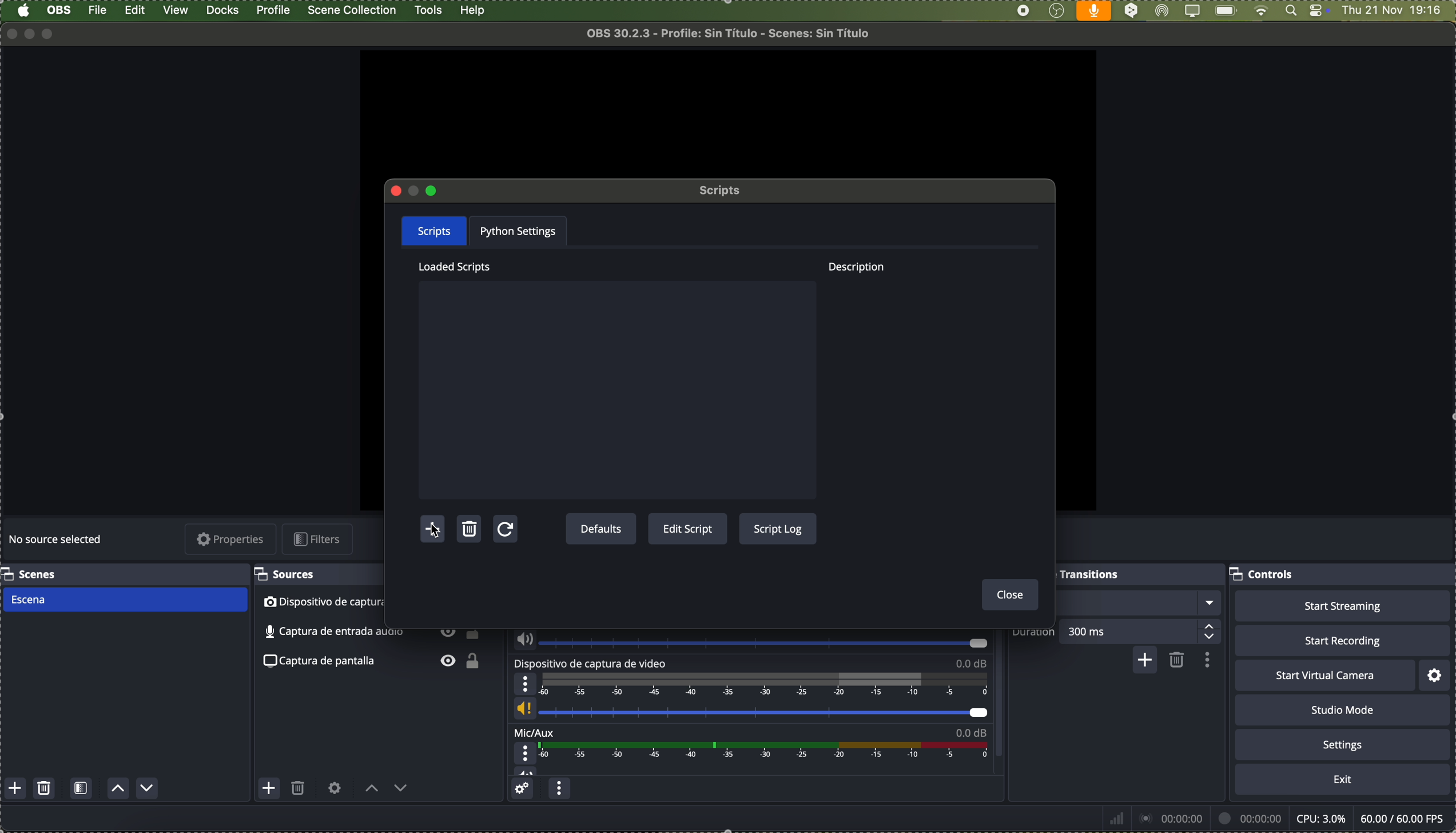  Describe the element at coordinates (430, 9) in the screenshot. I see `click on tools` at that location.